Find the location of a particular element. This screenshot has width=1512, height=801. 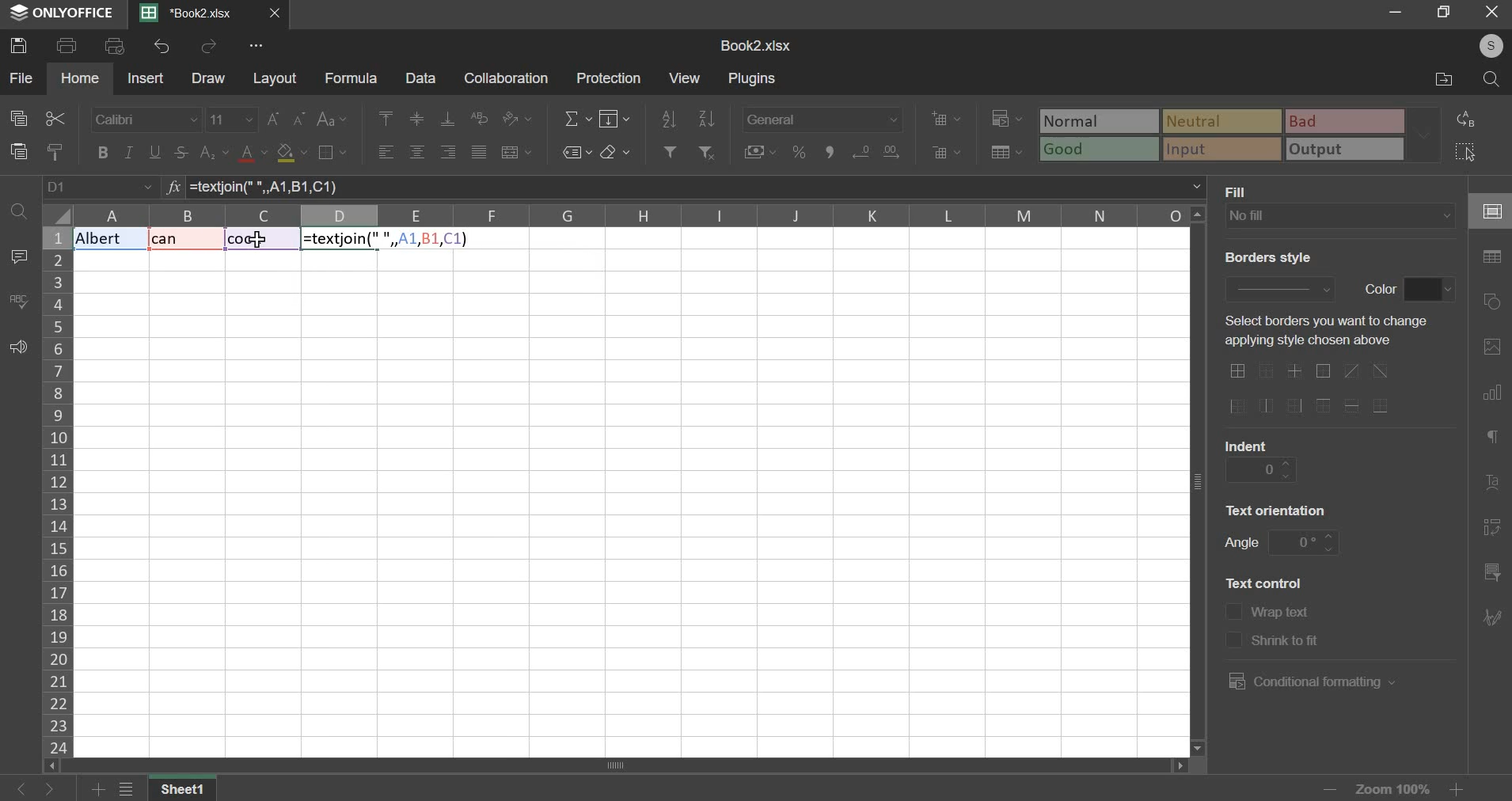

copy style is located at coordinates (56, 151).